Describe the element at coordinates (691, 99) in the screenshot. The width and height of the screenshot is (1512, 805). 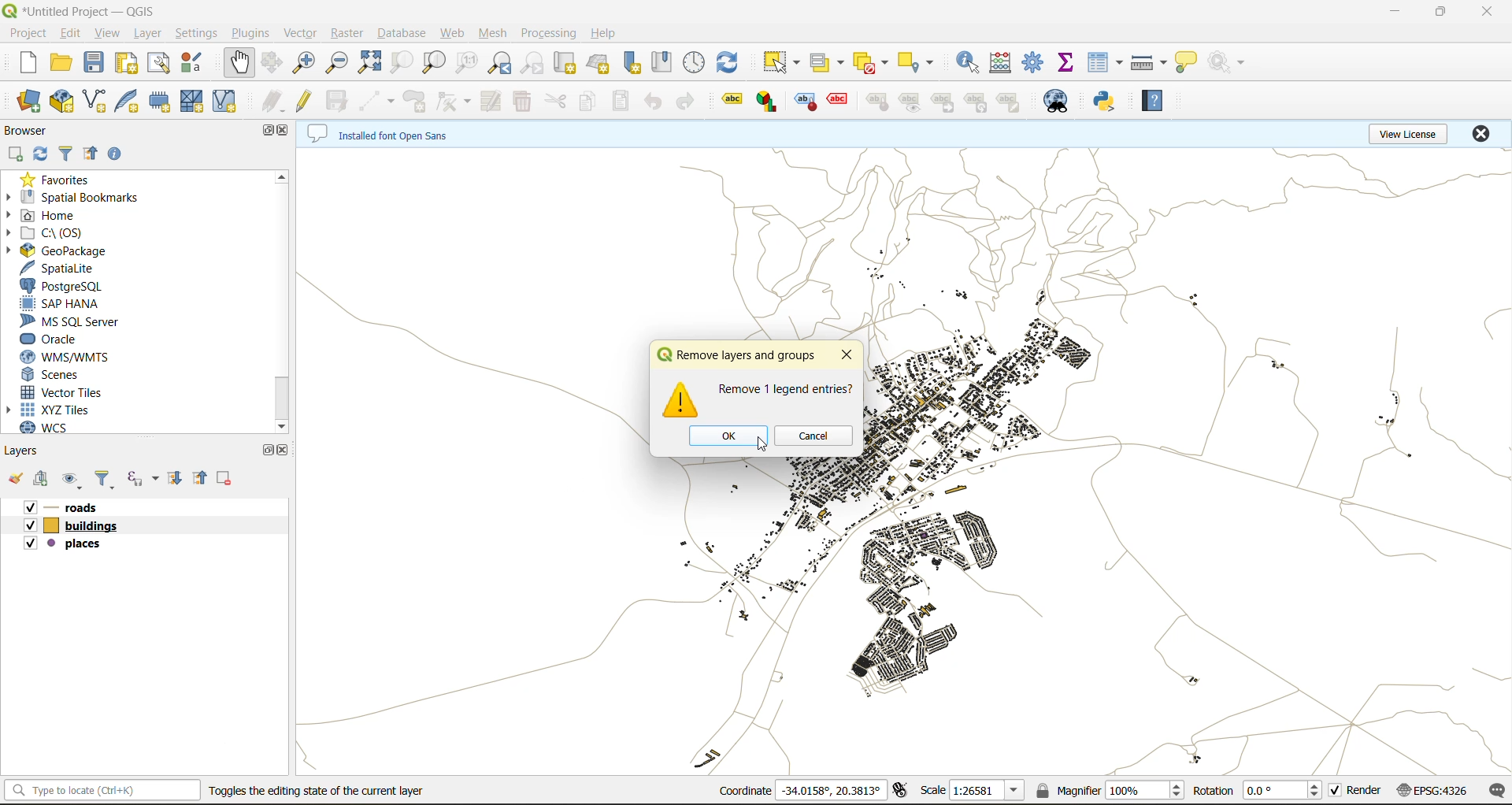
I see `redo` at that location.